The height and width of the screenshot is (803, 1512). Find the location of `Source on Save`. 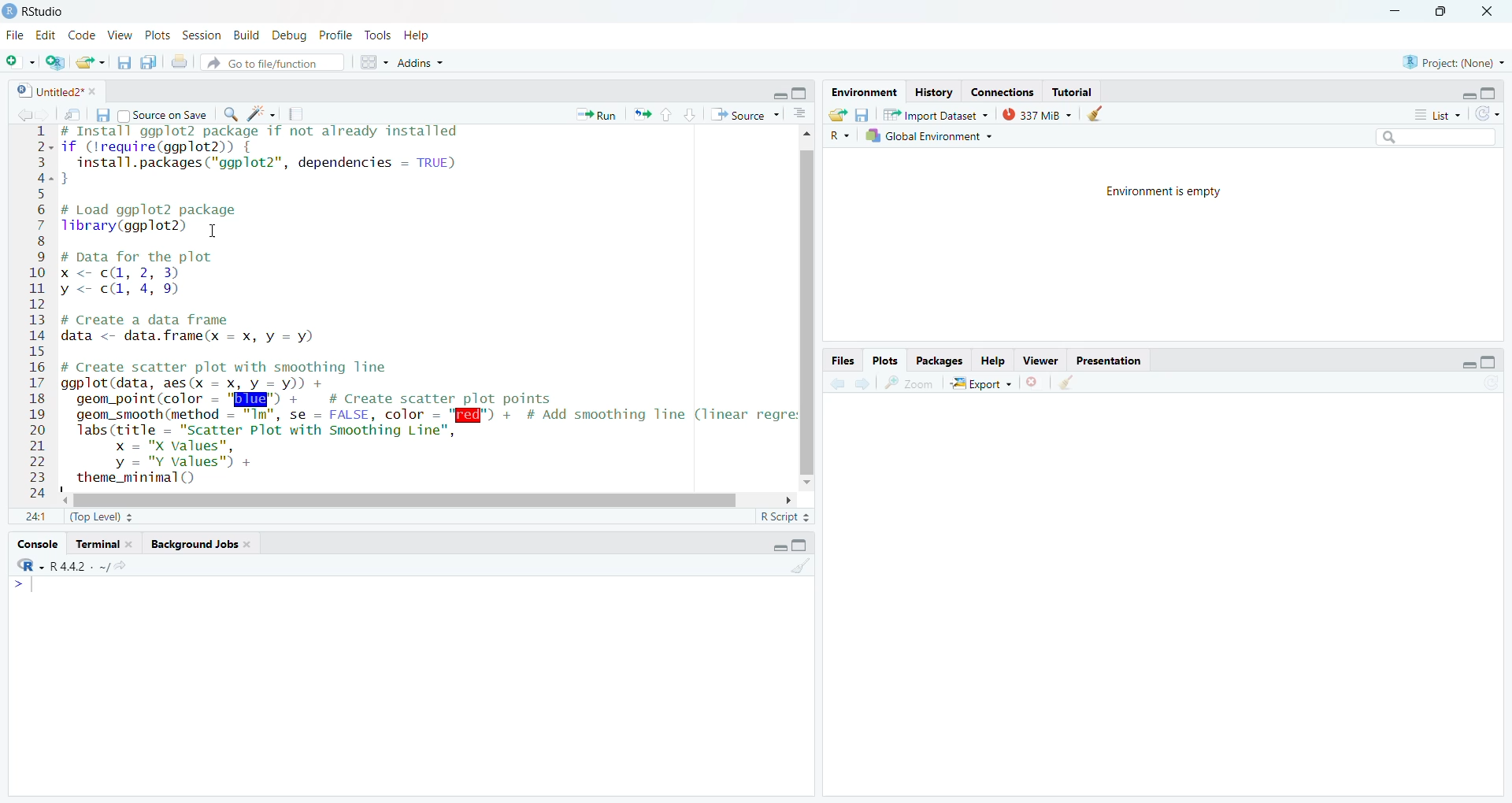

Source on Save is located at coordinates (161, 117).